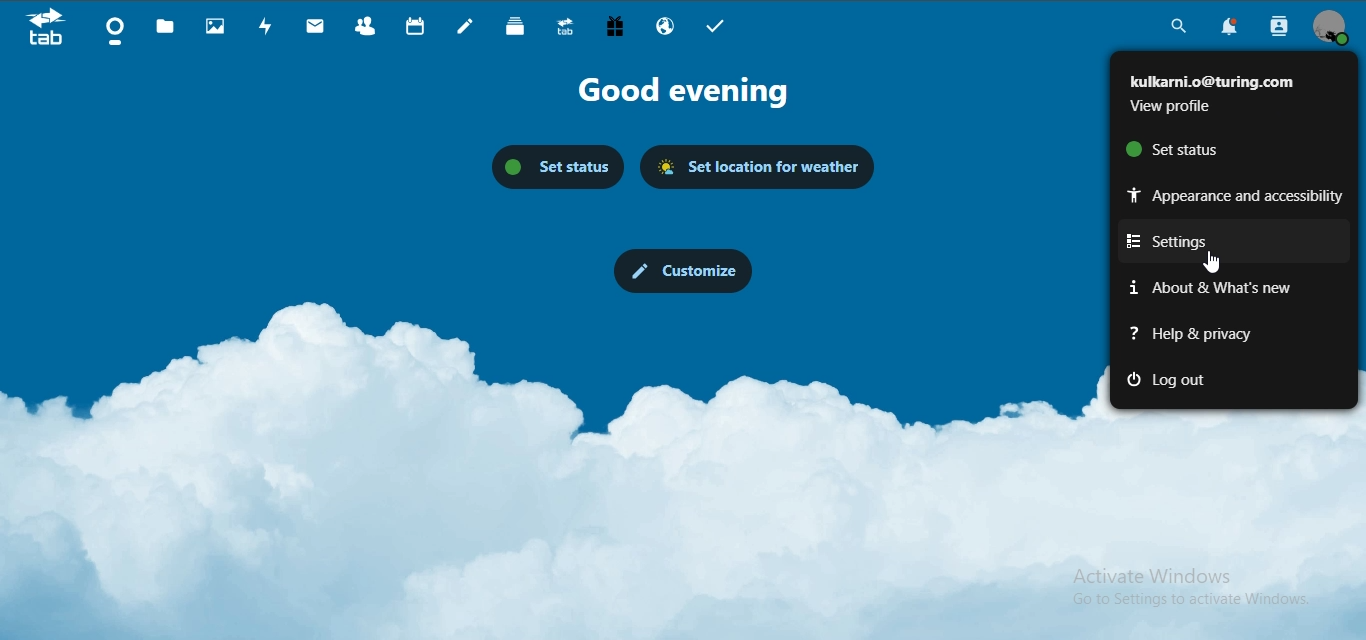  What do you see at coordinates (218, 27) in the screenshot?
I see `photos` at bounding box center [218, 27].